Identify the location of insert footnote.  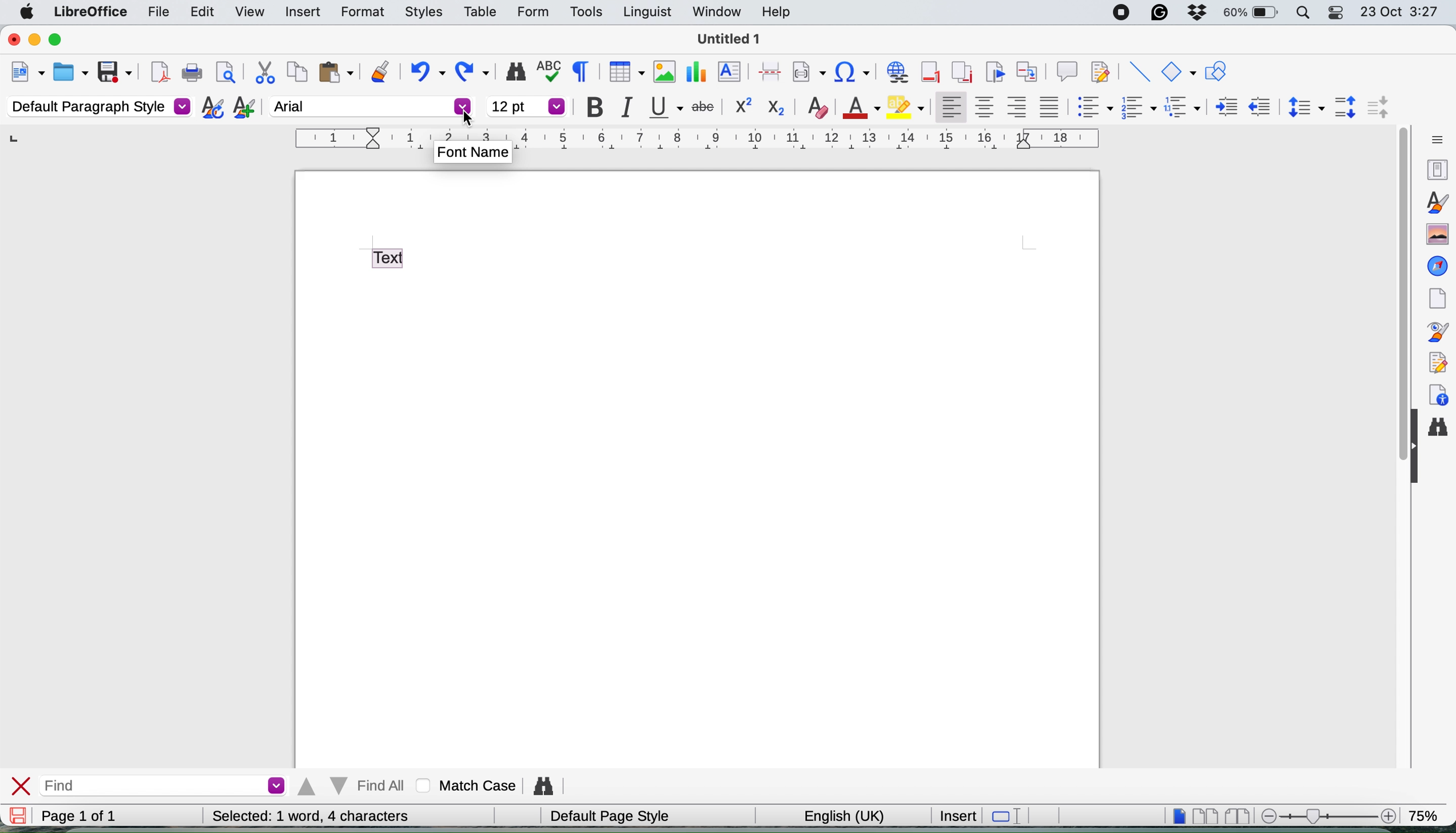
(929, 72).